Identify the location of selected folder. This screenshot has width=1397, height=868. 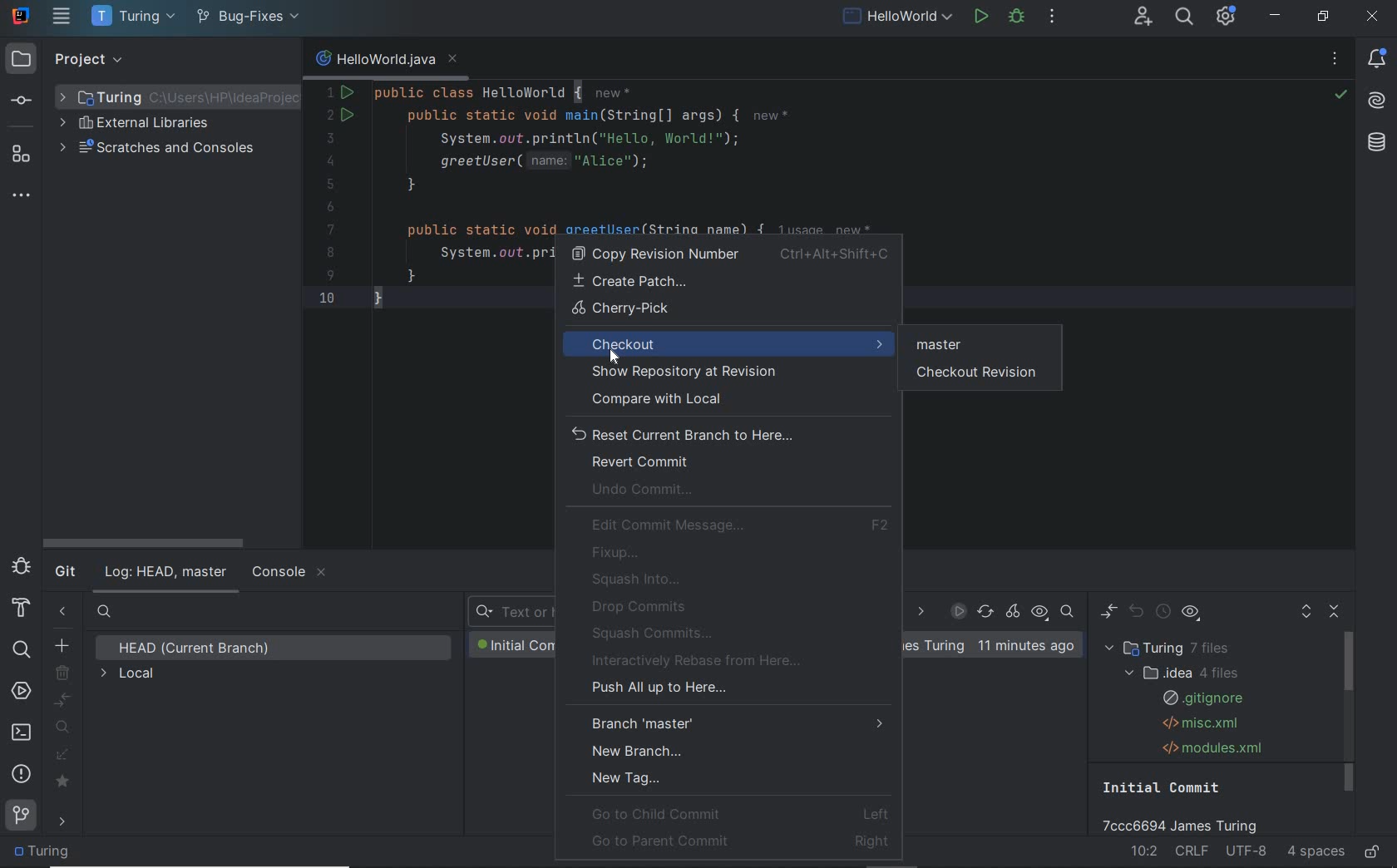
(176, 97).